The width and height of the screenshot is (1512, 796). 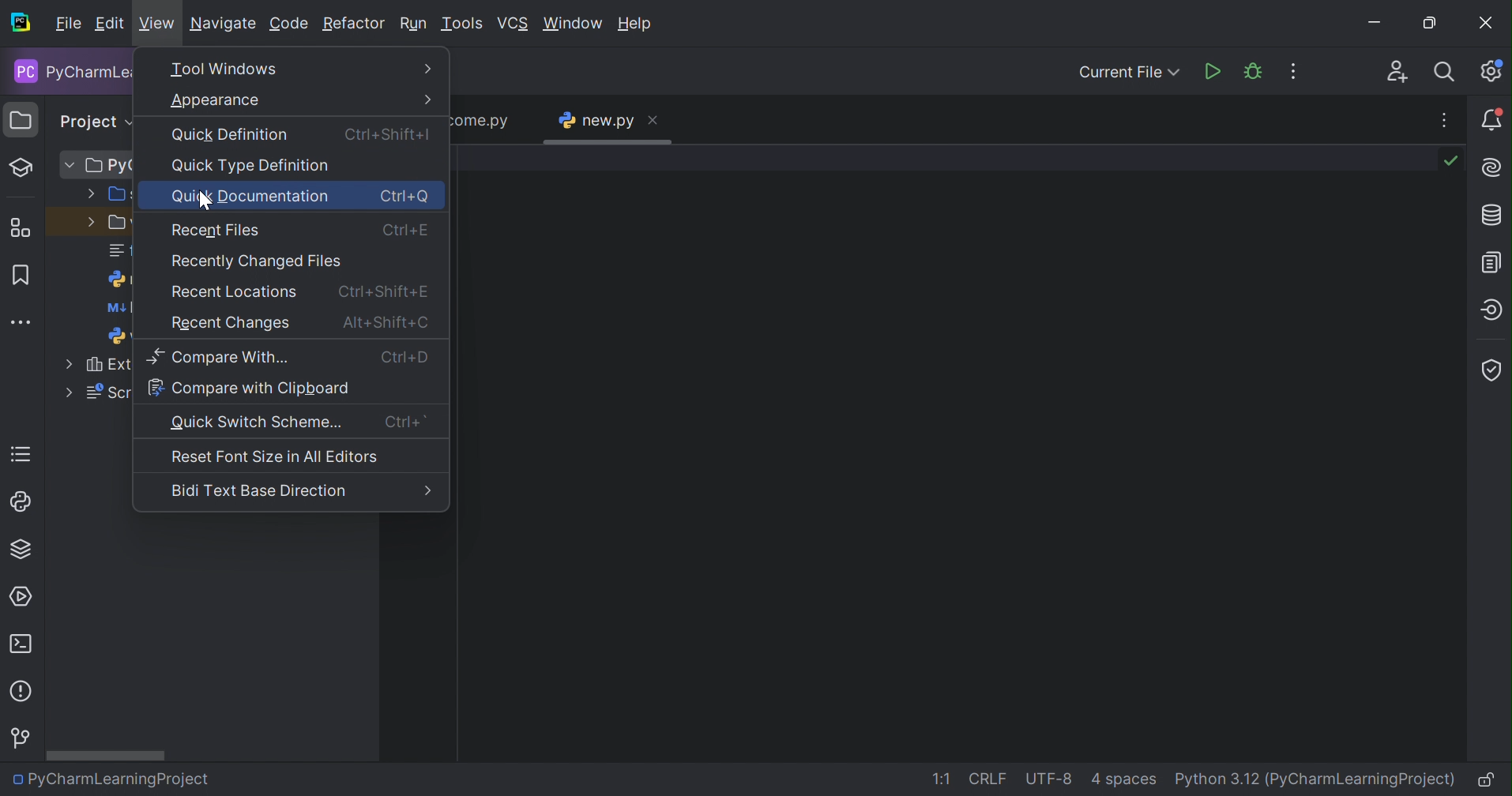 What do you see at coordinates (1493, 216) in the screenshot?
I see `Database` at bounding box center [1493, 216].